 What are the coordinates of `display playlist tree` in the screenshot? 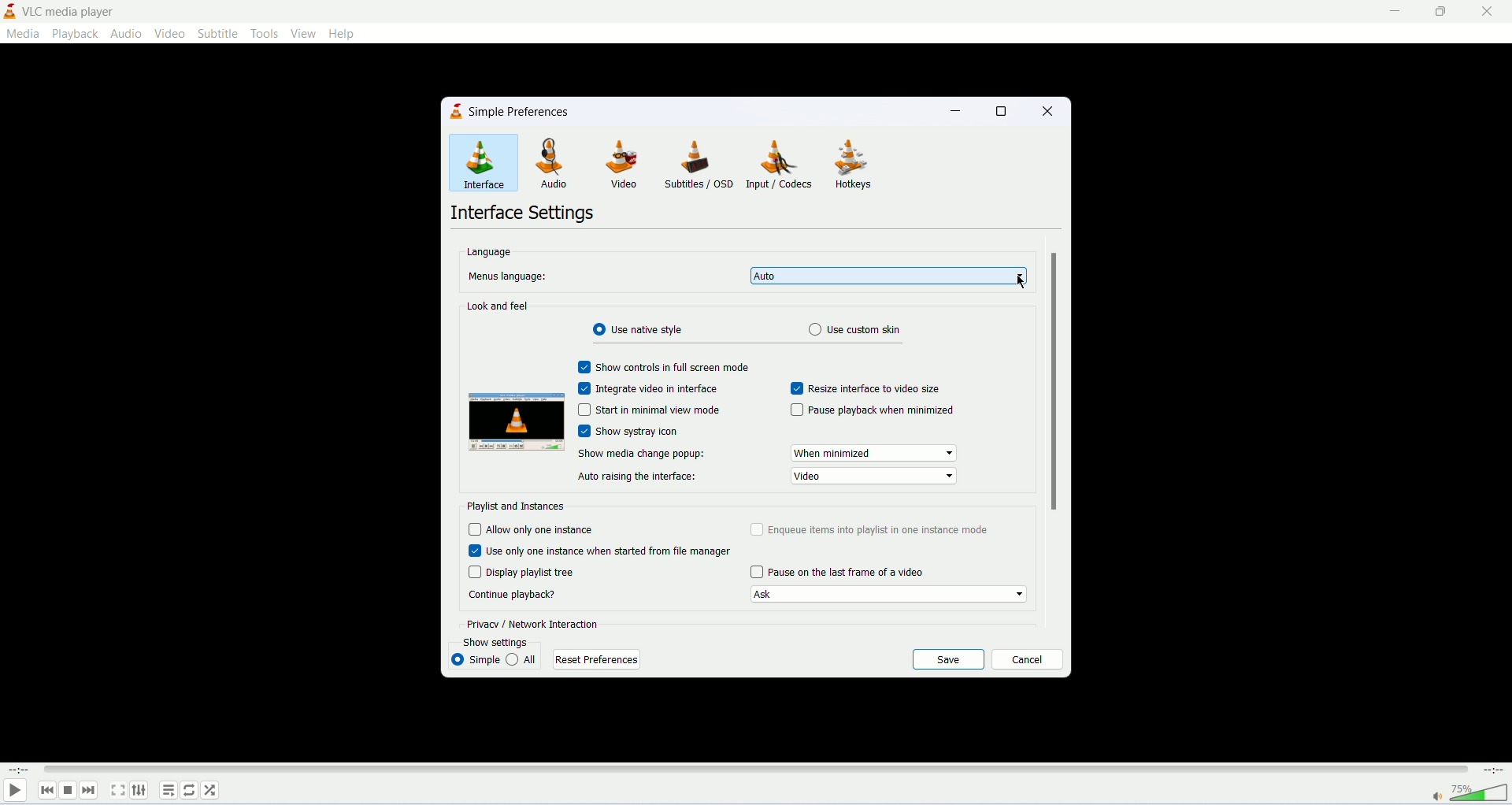 It's located at (523, 572).